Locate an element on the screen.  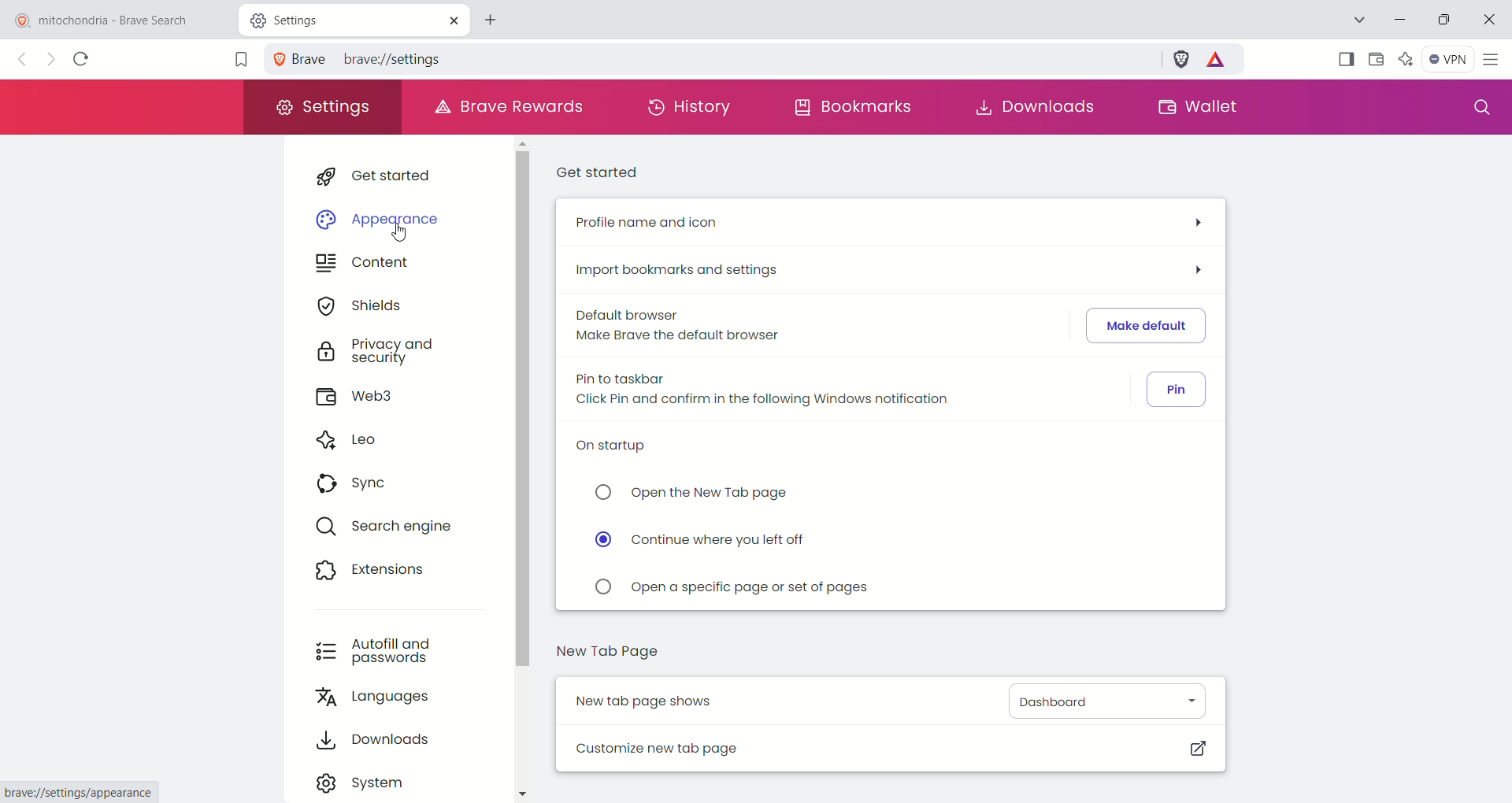
languages is located at coordinates (375, 700).